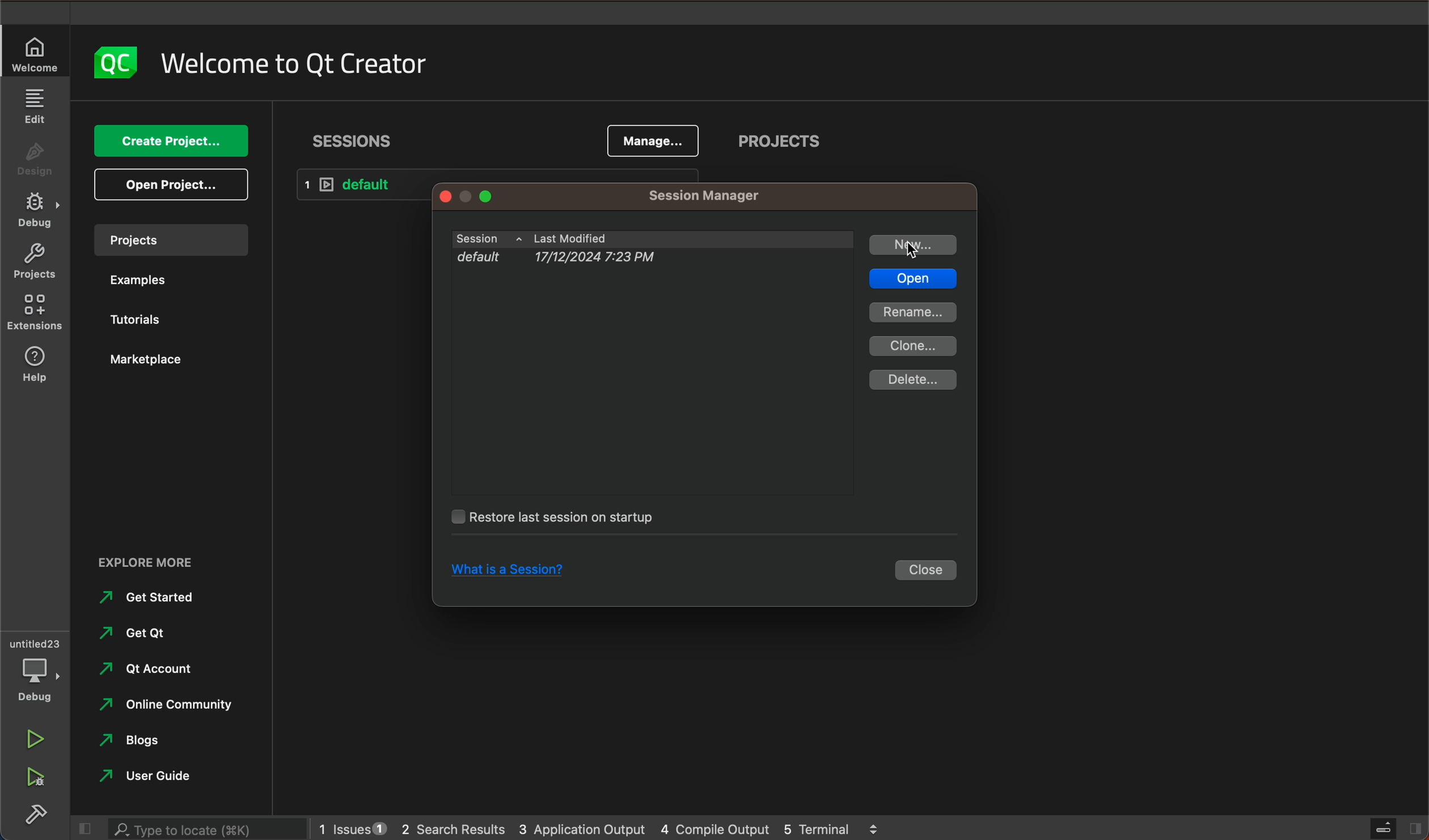 The height and width of the screenshot is (840, 1429). What do you see at coordinates (916, 346) in the screenshot?
I see `clone` at bounding box center [916, 346].